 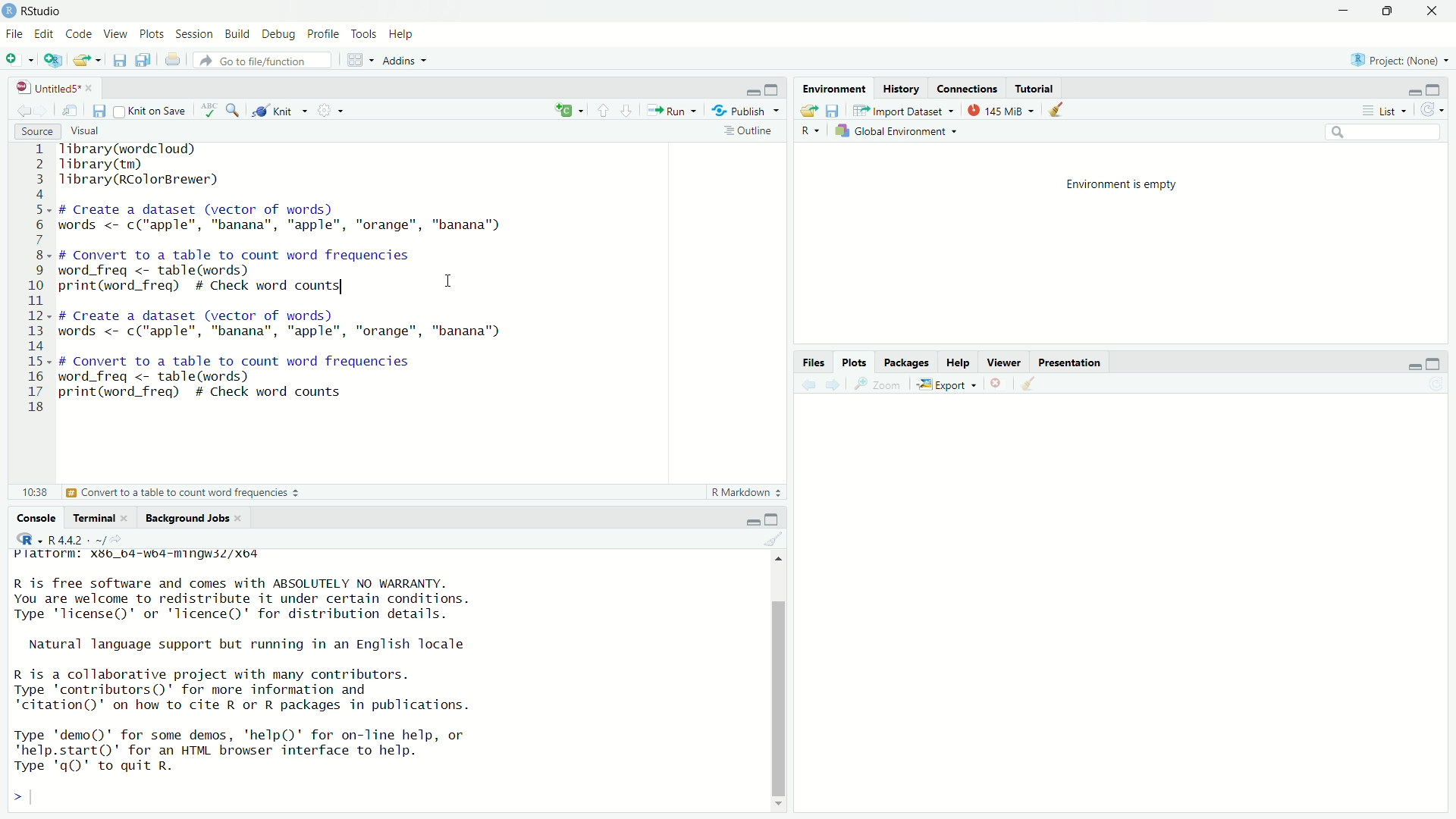 What do you see at coordinates (279, 108) in the screenshot?
I see `Kint` at bounding box center [279, 108].